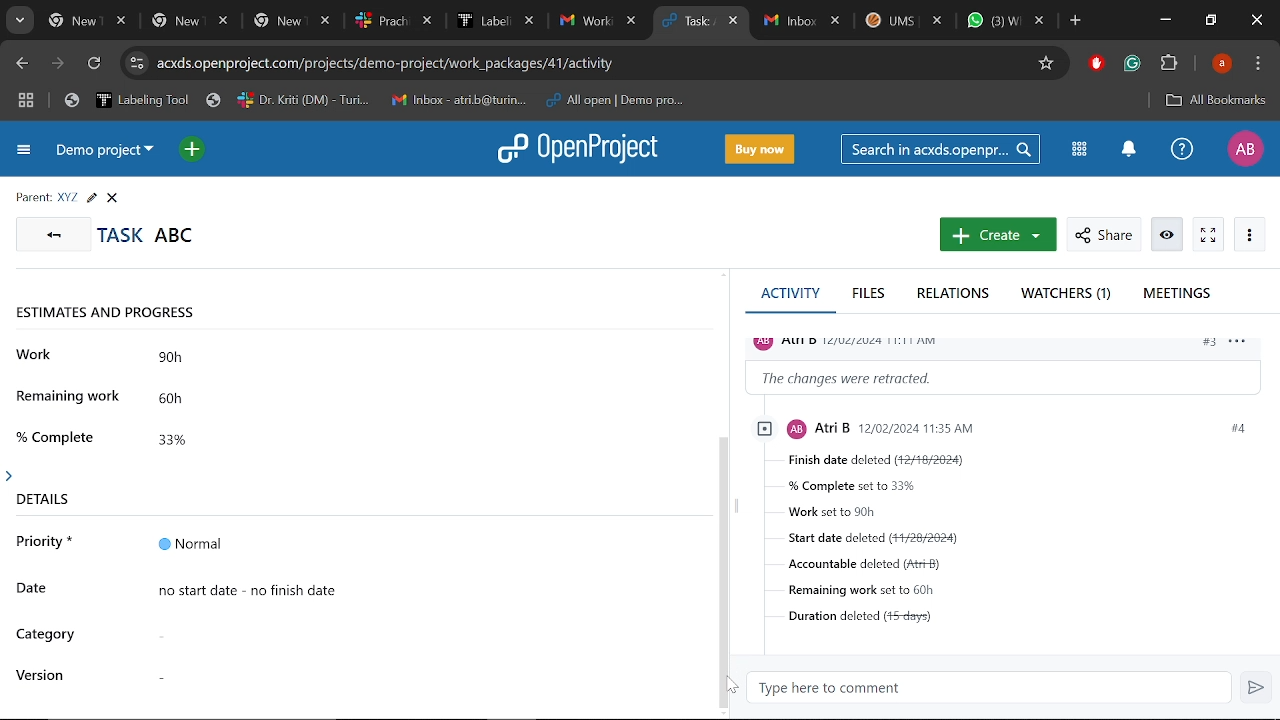 The height and width of the screenshot is (720, 1280). I want to click on Tab groups, so click(28, 100).